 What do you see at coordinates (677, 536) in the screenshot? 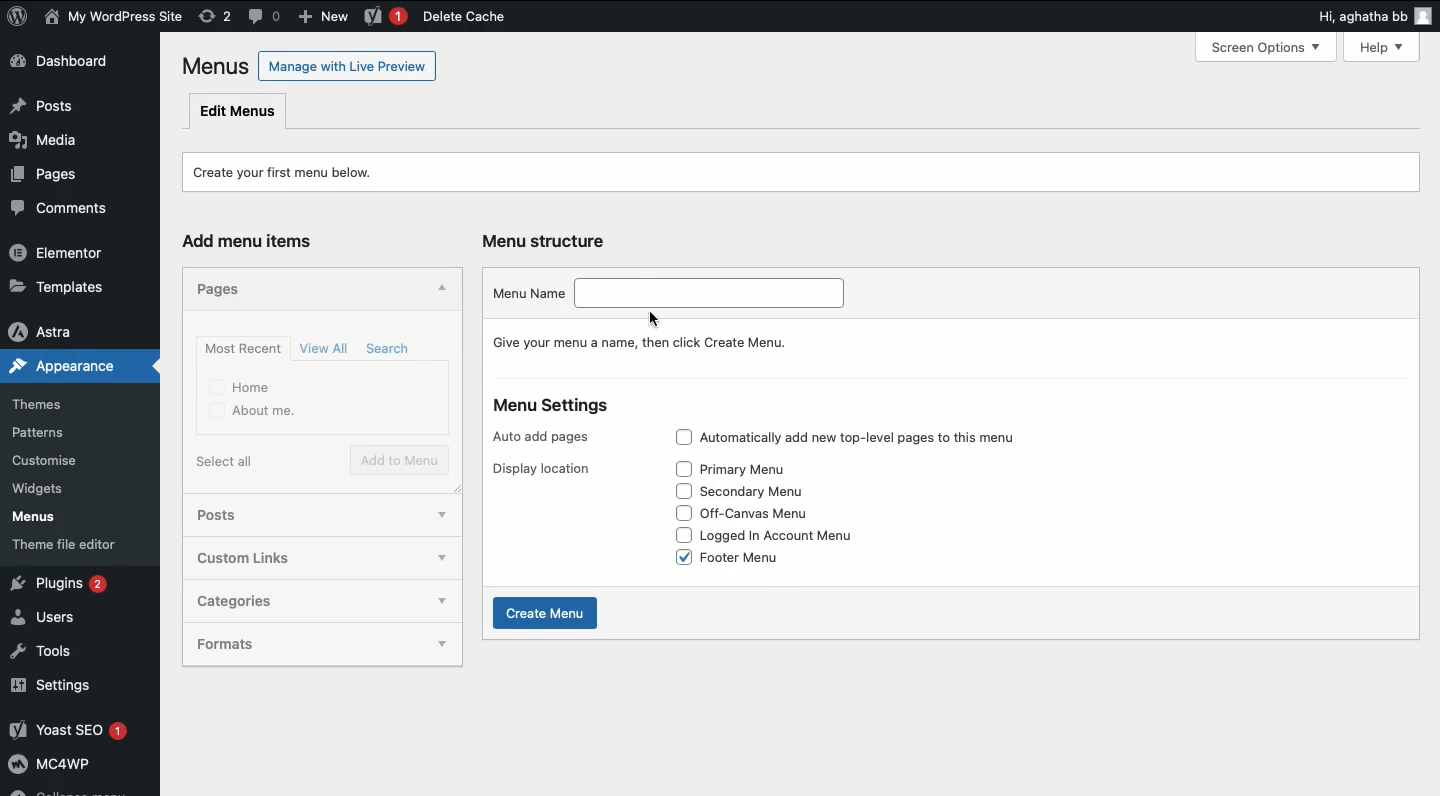
I see `Check box` at bounding box center [677, 536].